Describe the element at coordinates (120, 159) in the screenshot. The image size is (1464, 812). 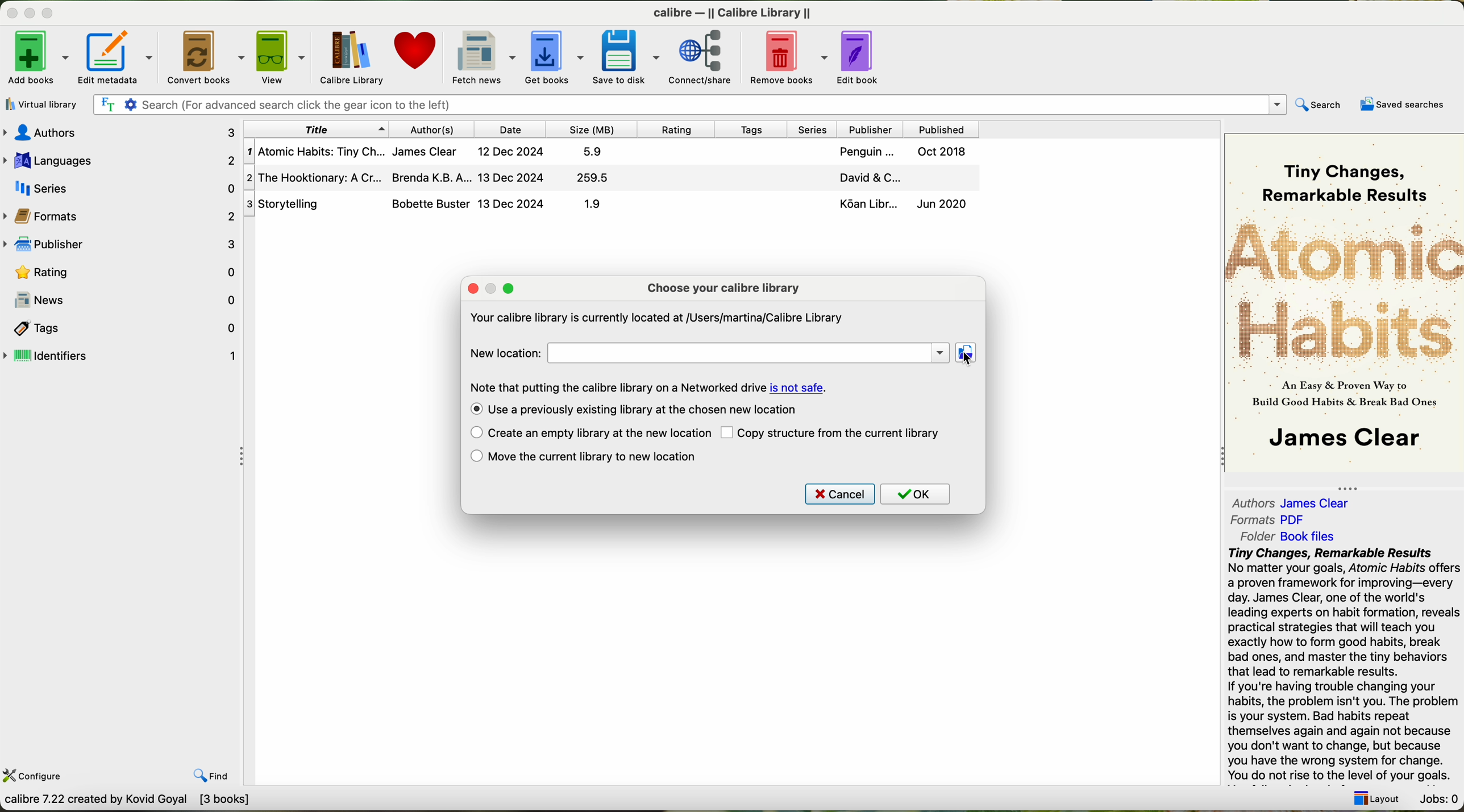
I see `languages` at that location.